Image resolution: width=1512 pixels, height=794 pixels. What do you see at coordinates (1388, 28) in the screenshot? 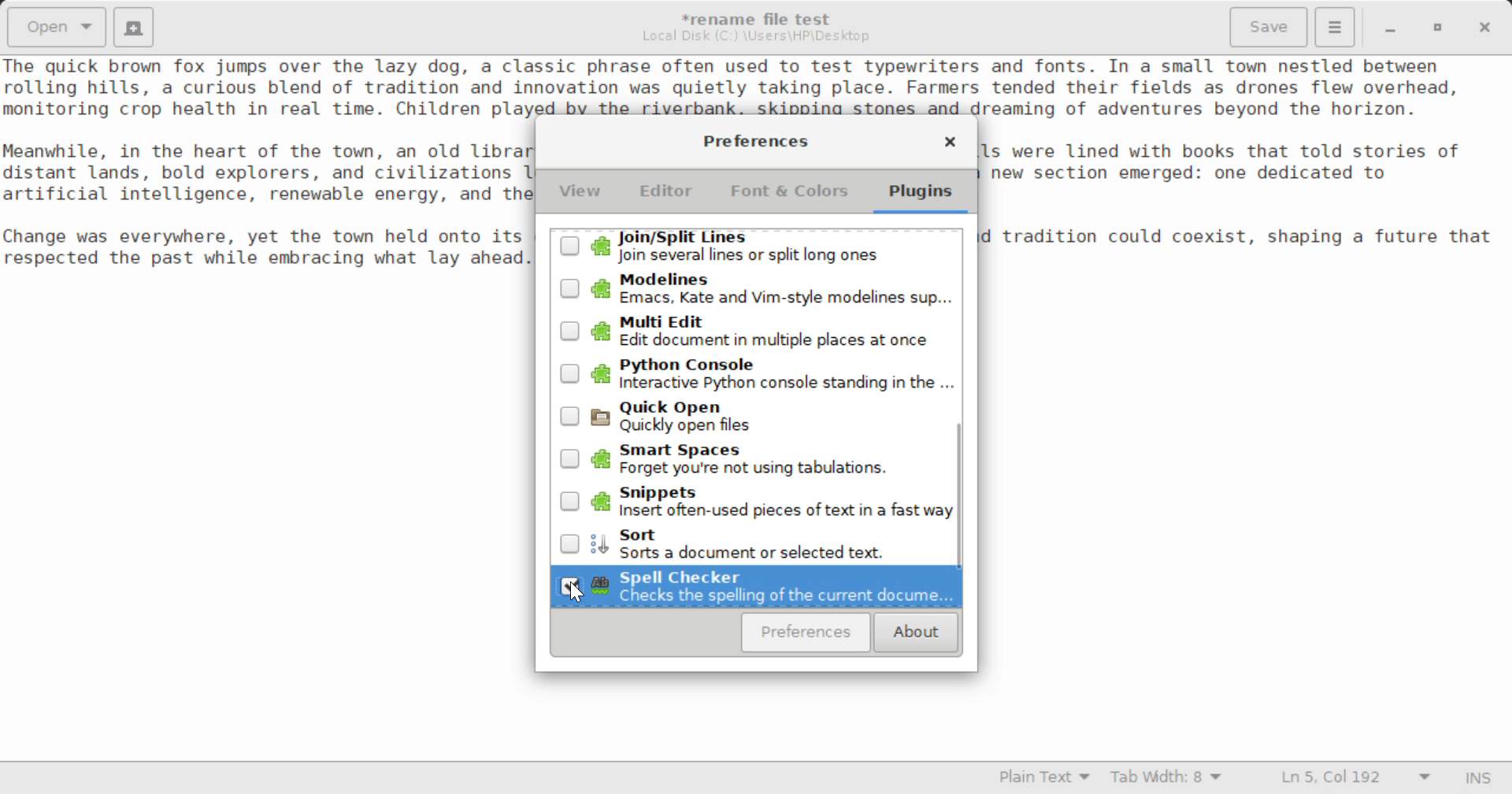
I see `Restore Down` at bounding box center [1388, 28].